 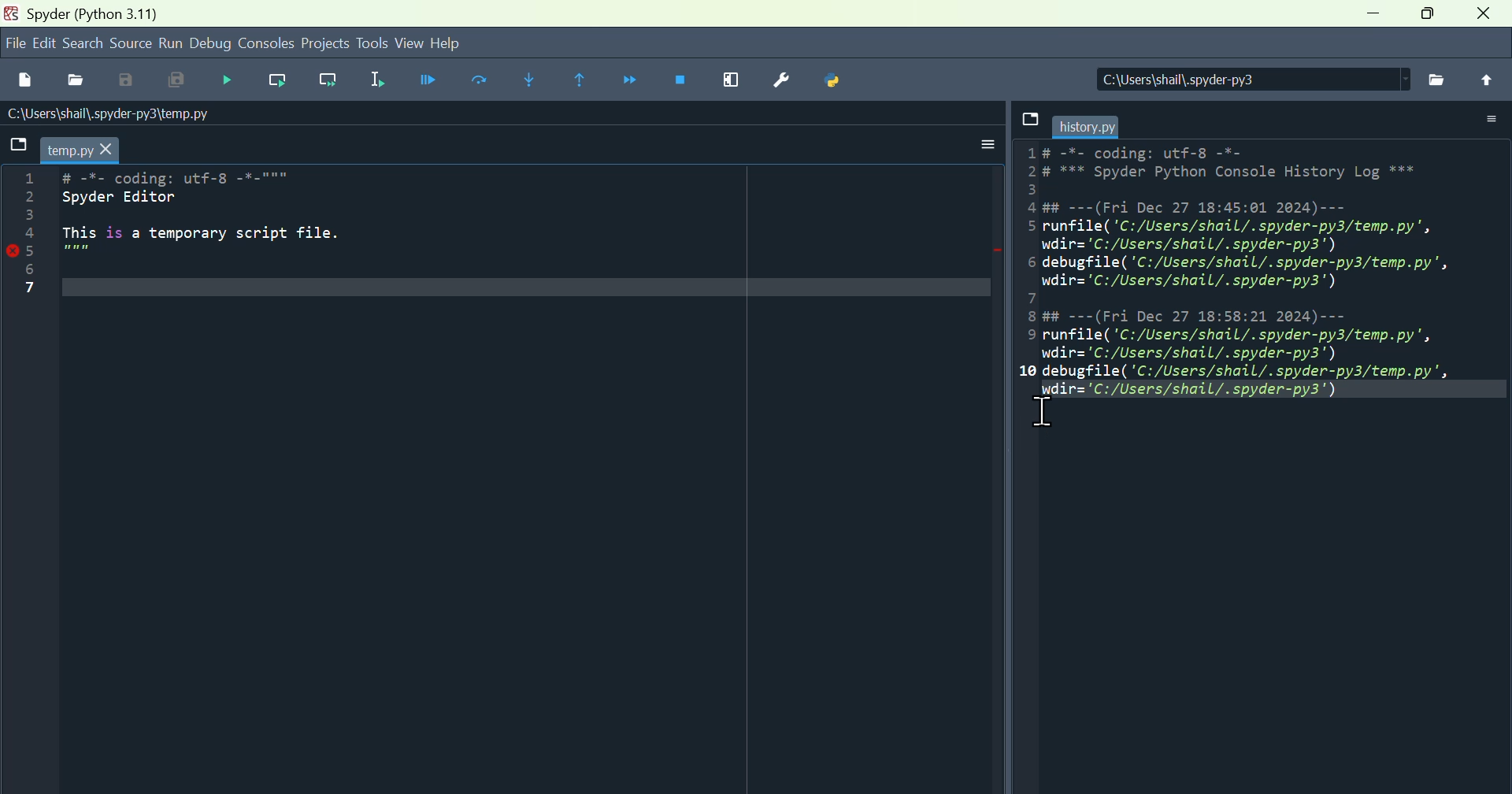 What do you see at coordinates (1492, 115) in the screenshot?
I see `More options` at bounding box center [1492, 115].